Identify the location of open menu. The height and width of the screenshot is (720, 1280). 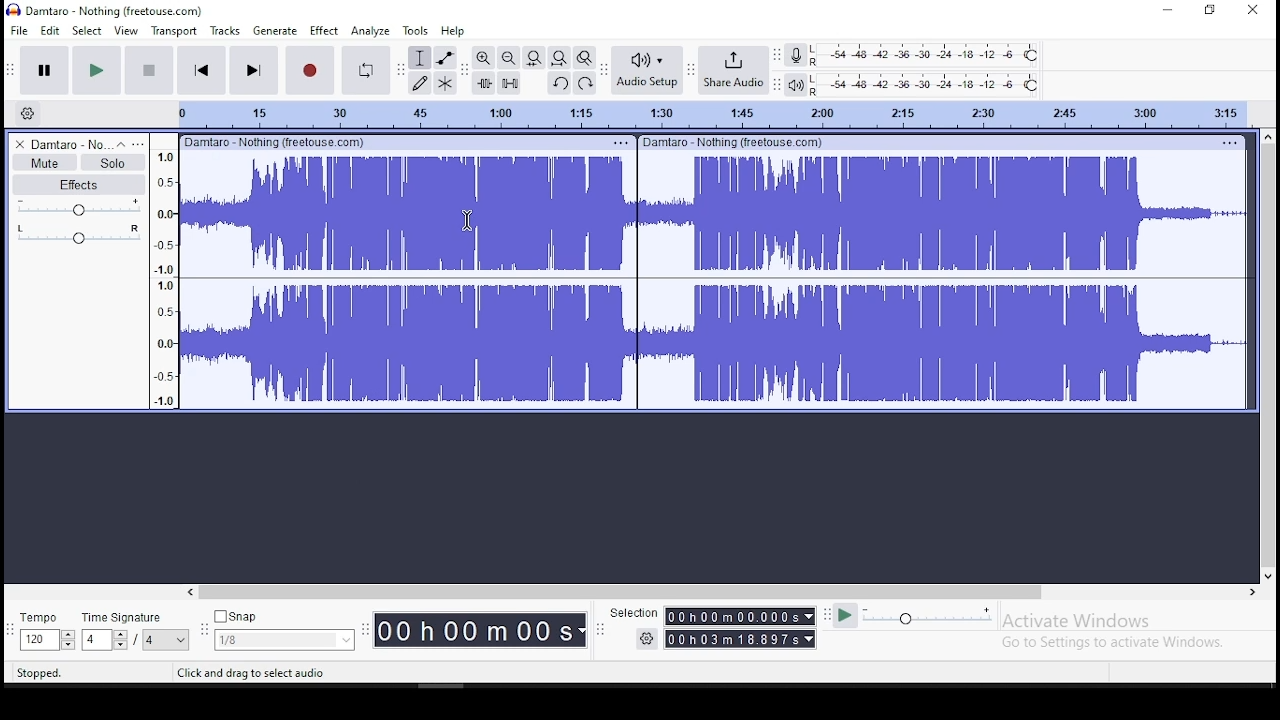
(139, 143).